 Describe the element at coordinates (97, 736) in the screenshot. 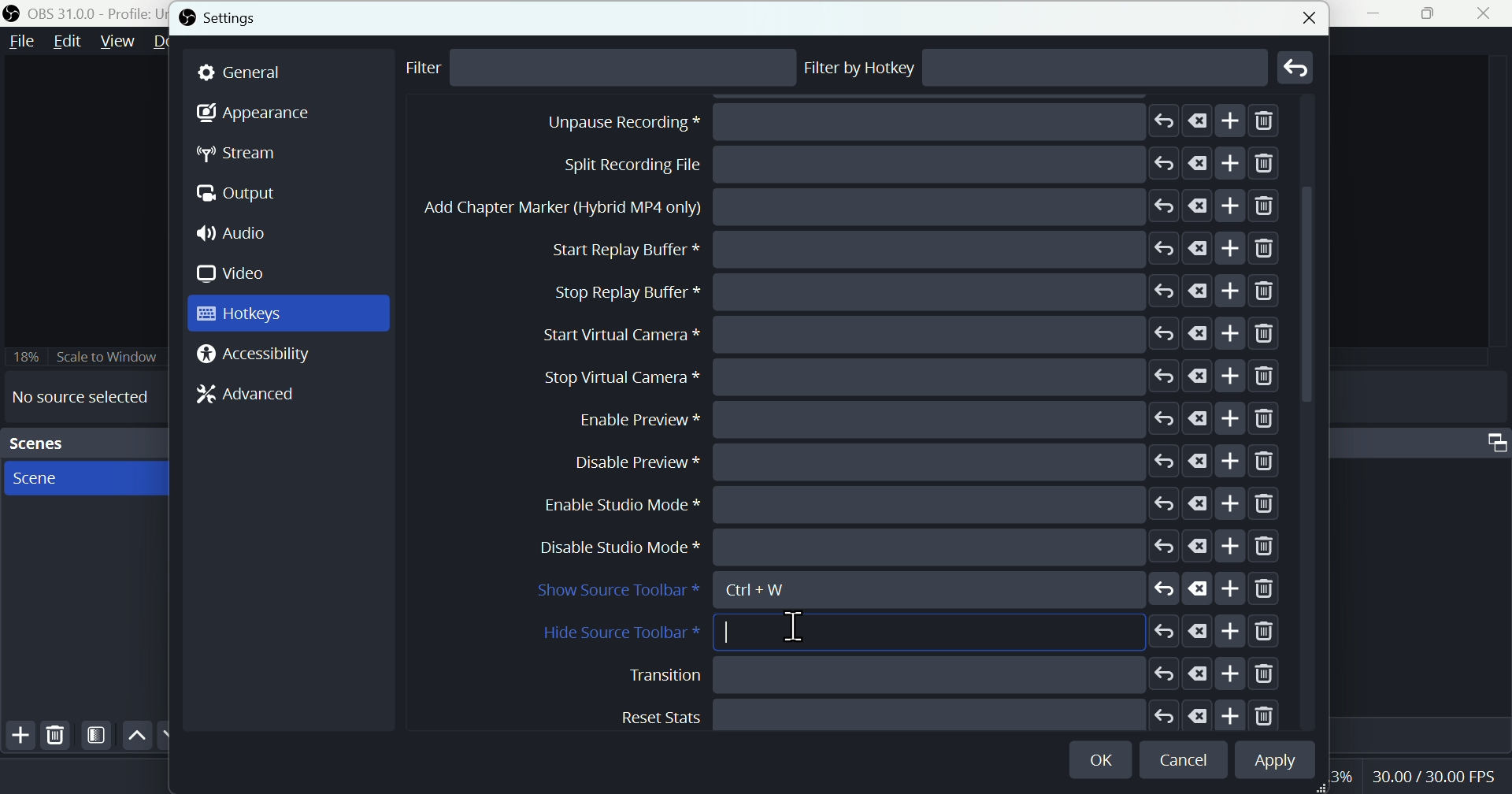

I see `Filter` at that location.